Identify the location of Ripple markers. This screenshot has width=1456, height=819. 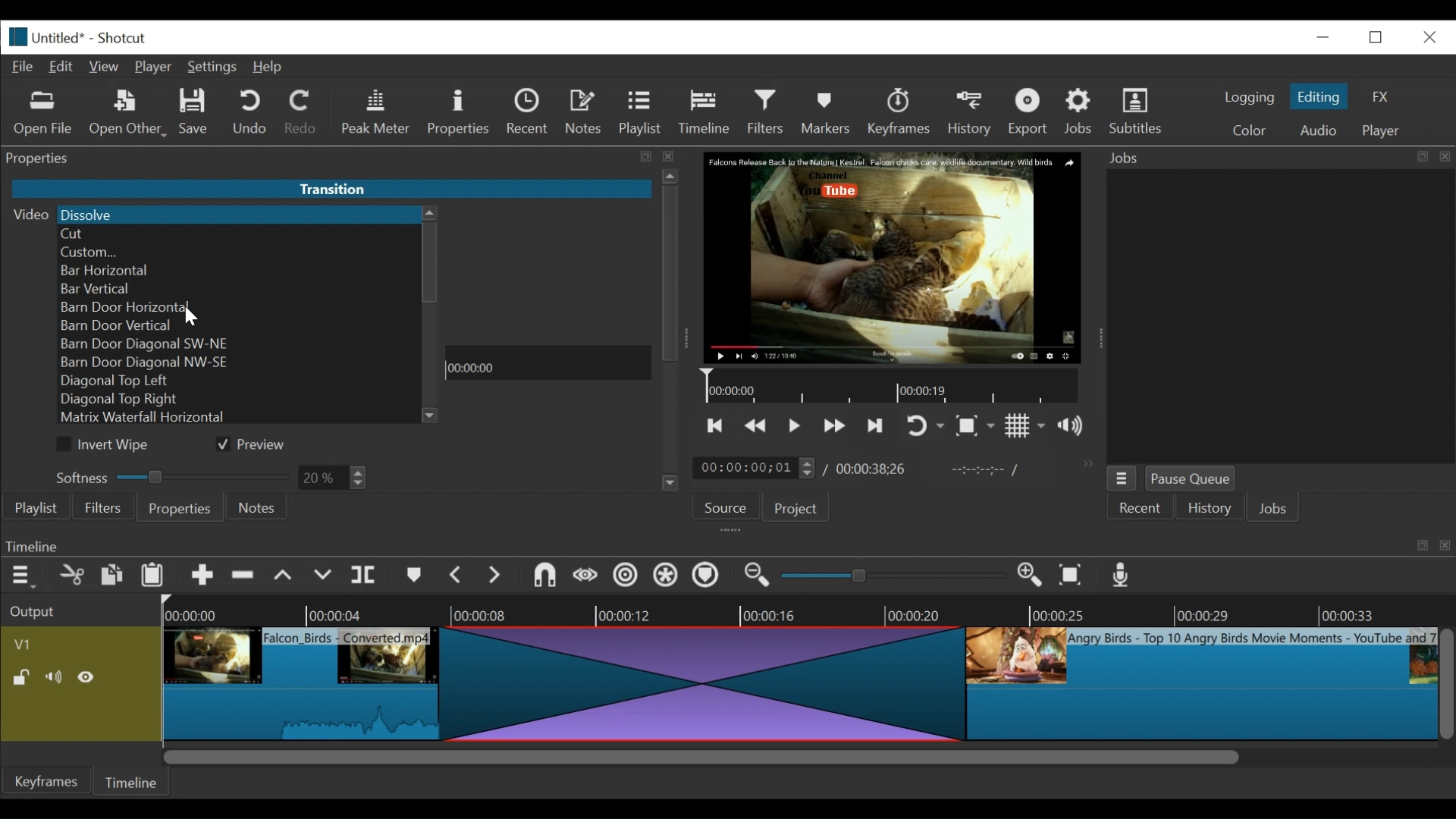
(709, 577).